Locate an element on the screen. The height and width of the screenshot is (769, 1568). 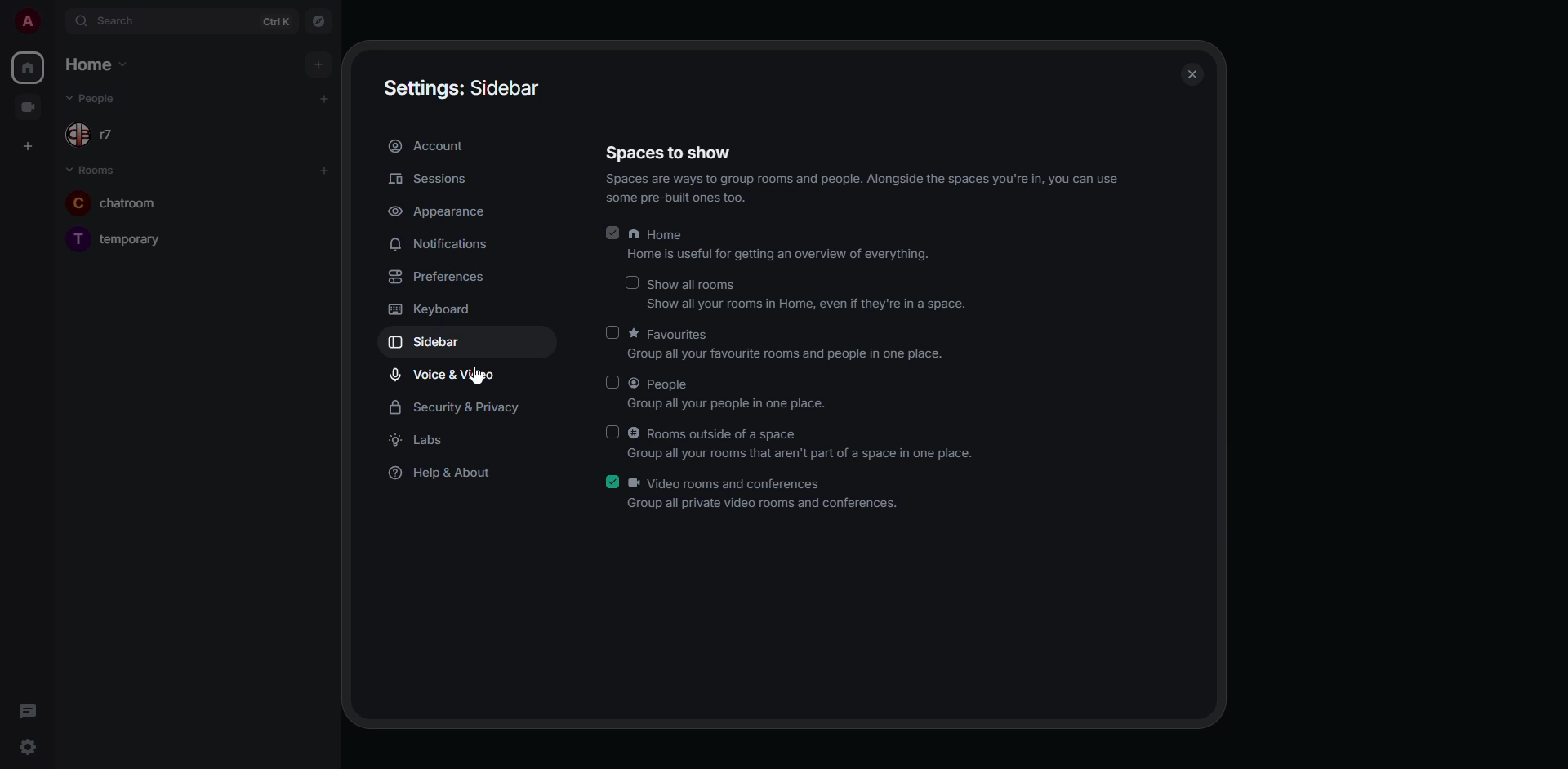
r7 is located at coordinates (96, 136).